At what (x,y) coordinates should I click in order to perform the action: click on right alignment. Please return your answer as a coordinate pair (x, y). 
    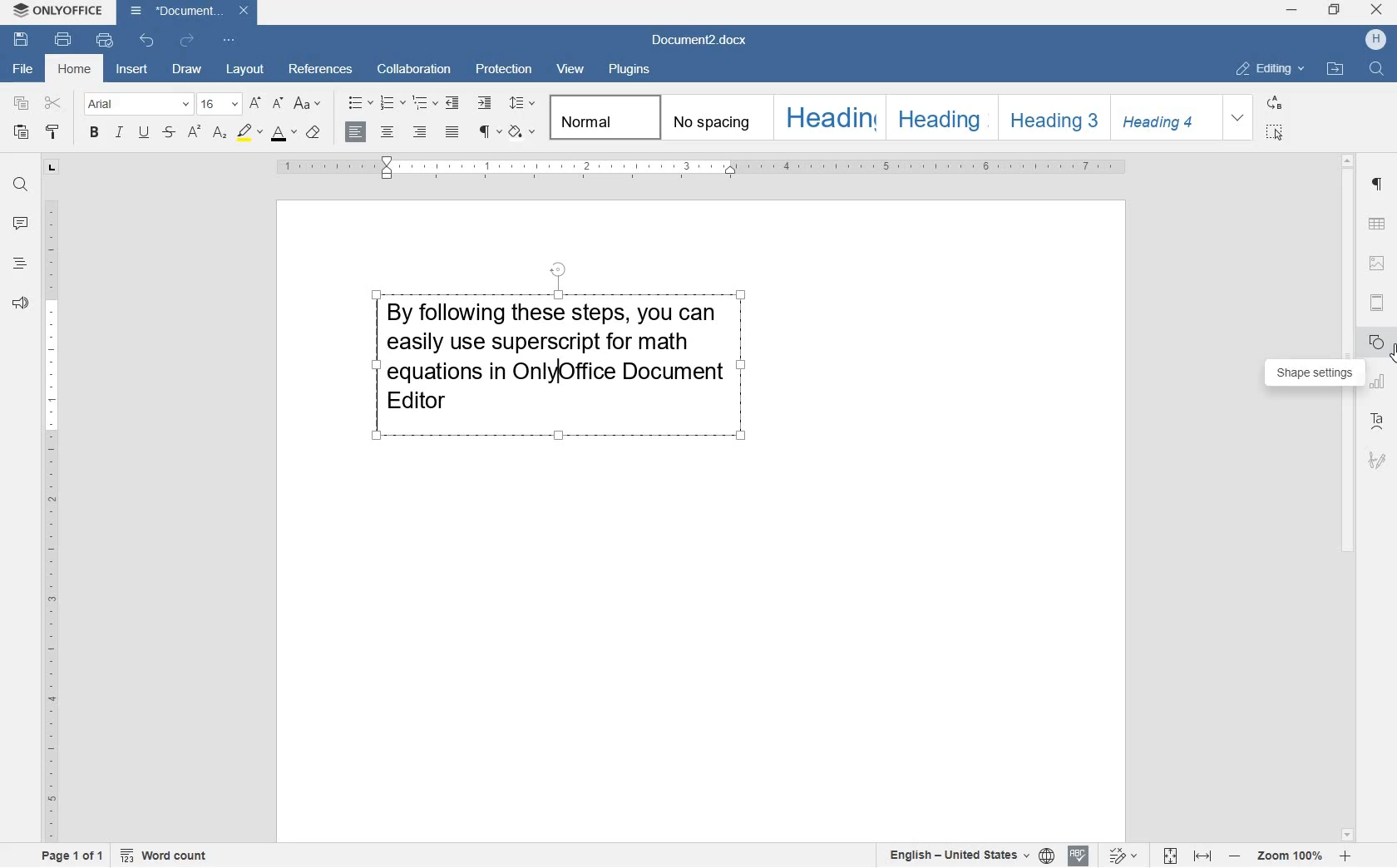
    Looking at the image, I should click on (420, 133).